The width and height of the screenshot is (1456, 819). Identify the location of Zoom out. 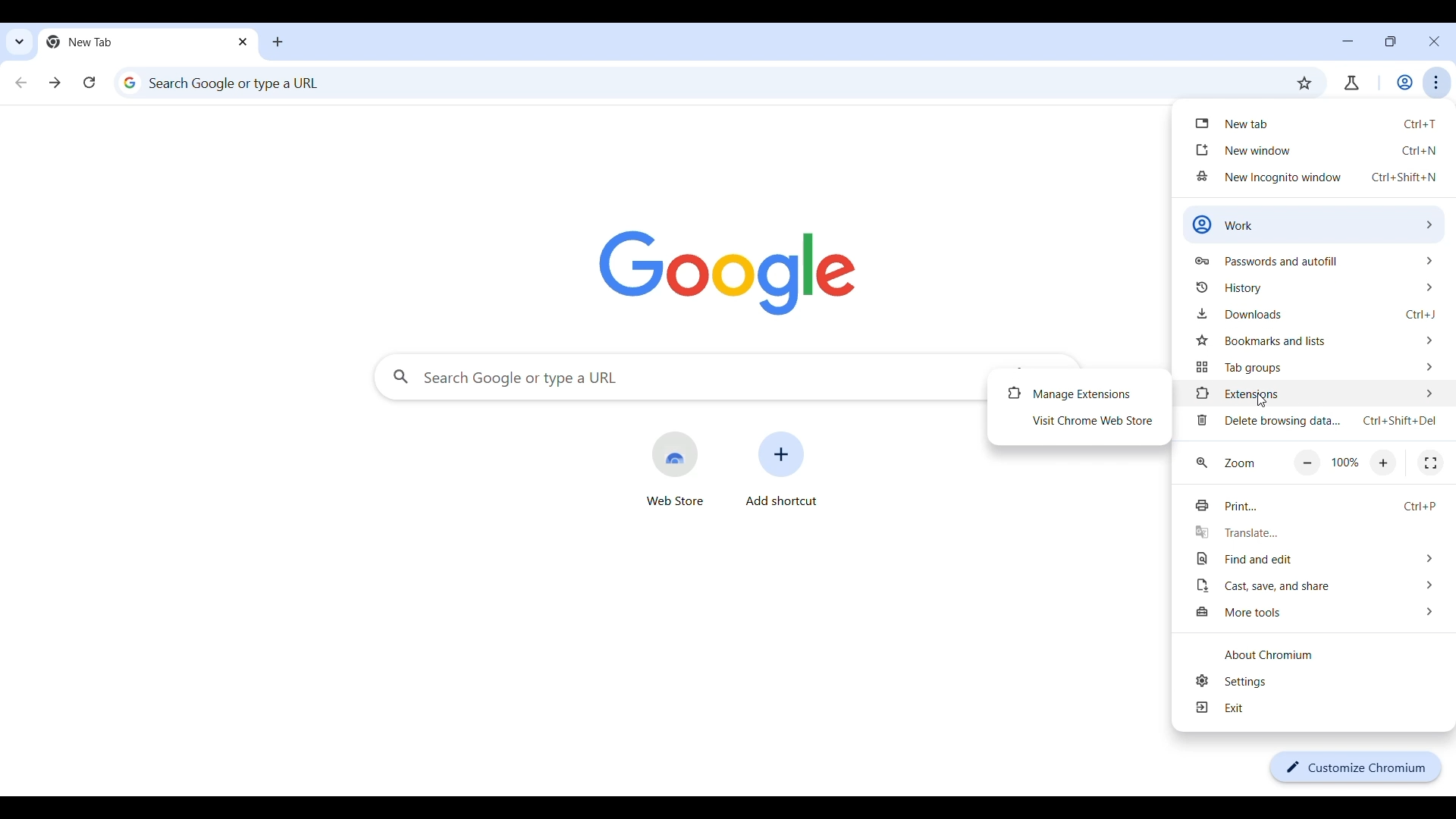
(1307, 463).